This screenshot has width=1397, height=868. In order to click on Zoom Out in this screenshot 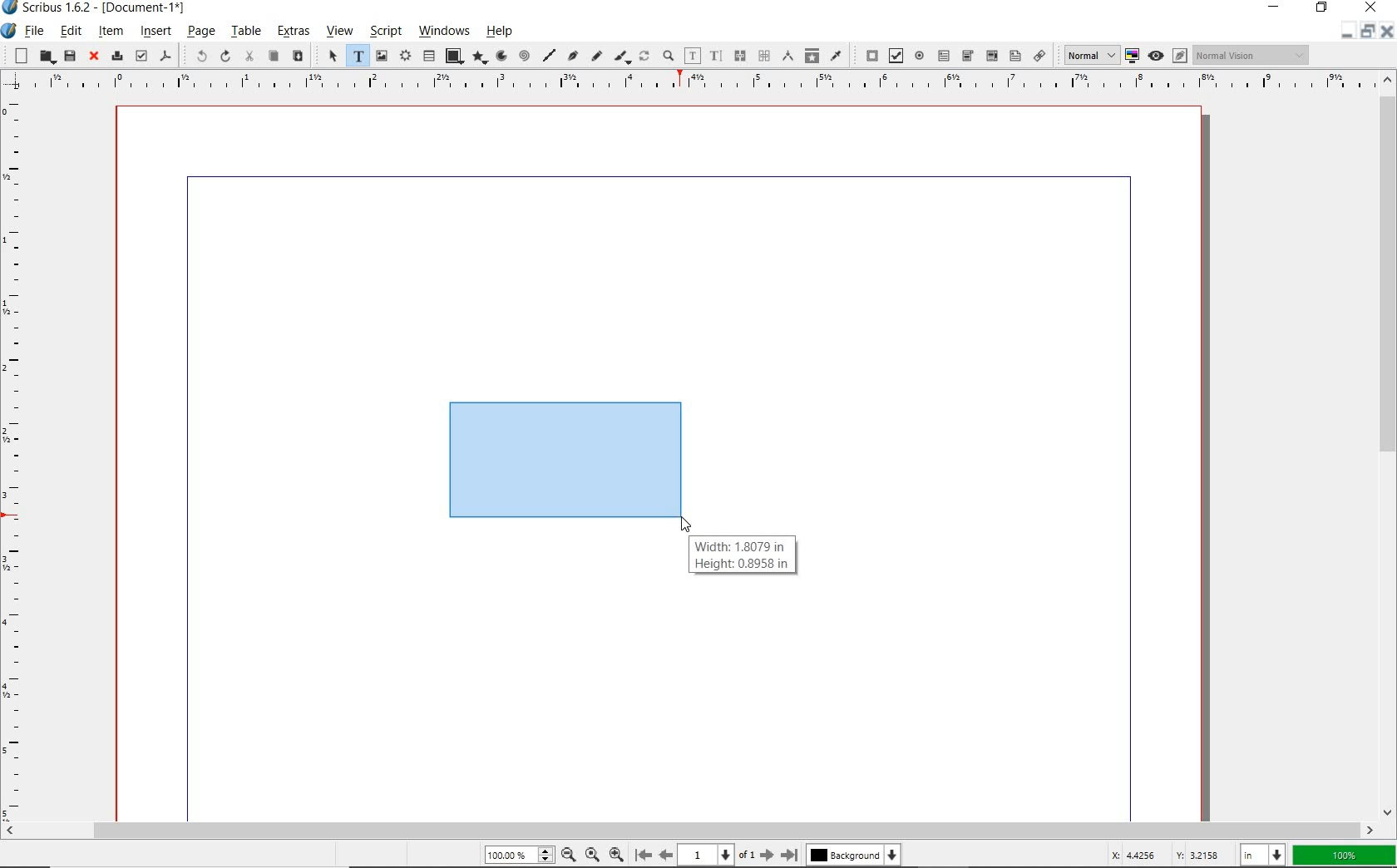, I will do `click(570, 856)`.